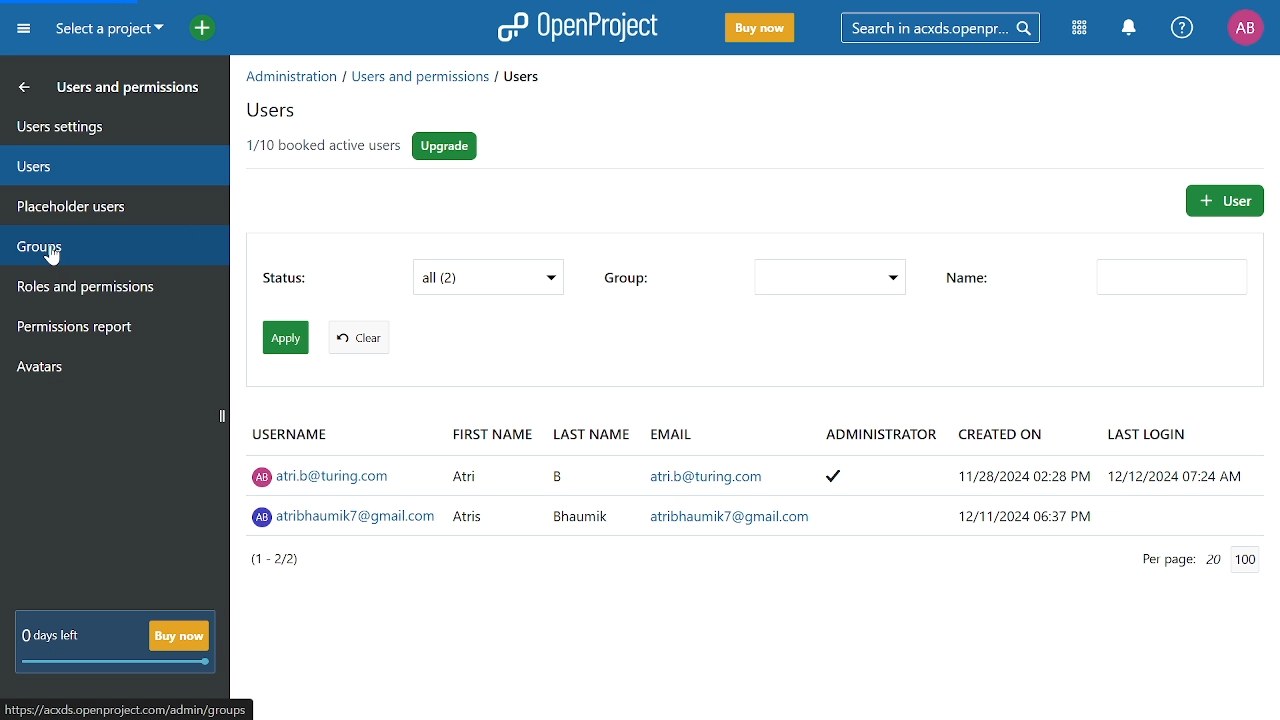 This screenshot has width=1280, height=720. What do you see at coordinates (103, 165) in the screenshot?
I see `users` at bounding box center [103, 165].